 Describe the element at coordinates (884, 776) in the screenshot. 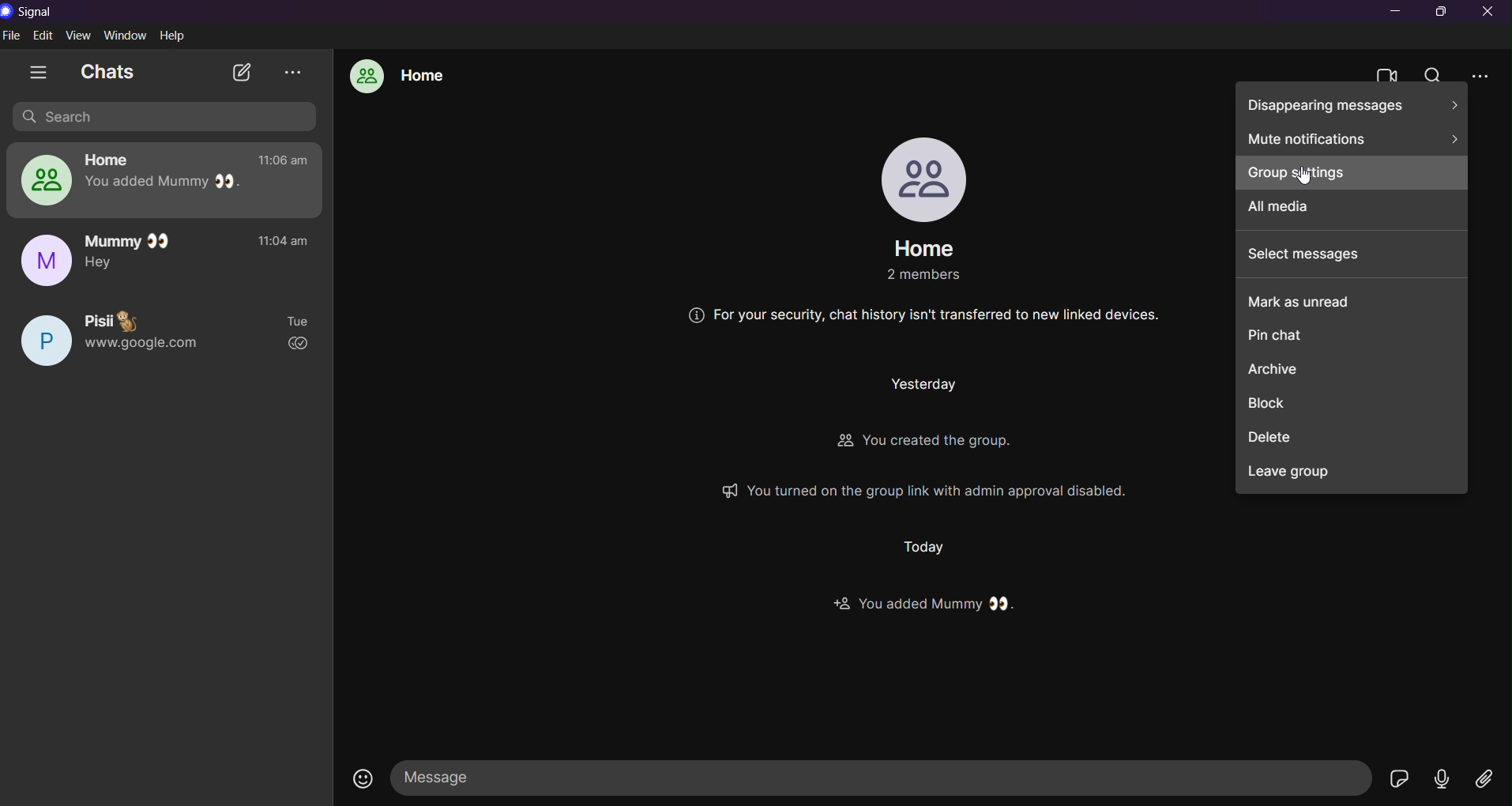

I see `message` at that location.